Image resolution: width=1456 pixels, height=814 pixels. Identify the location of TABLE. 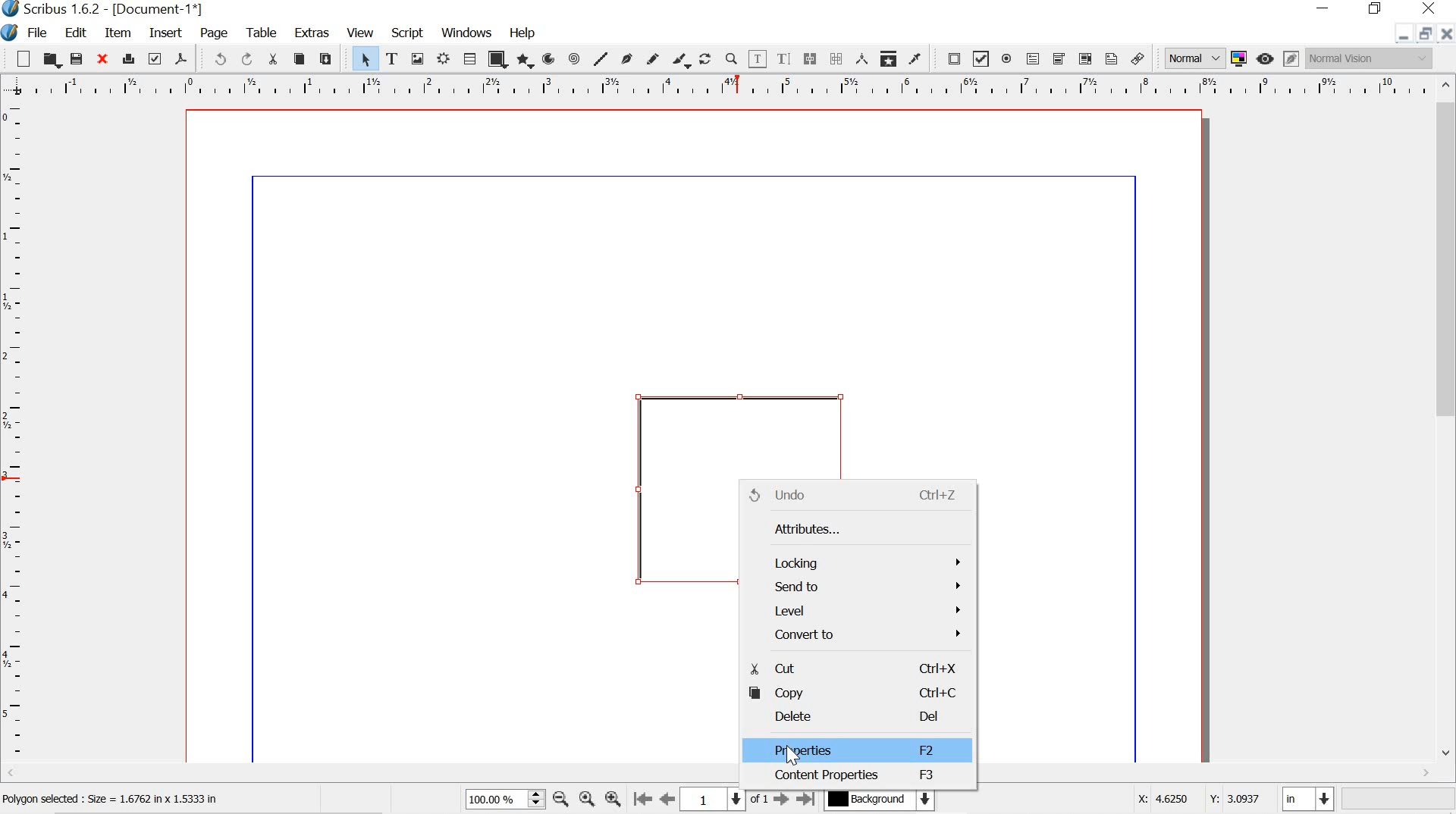
(260, 31).